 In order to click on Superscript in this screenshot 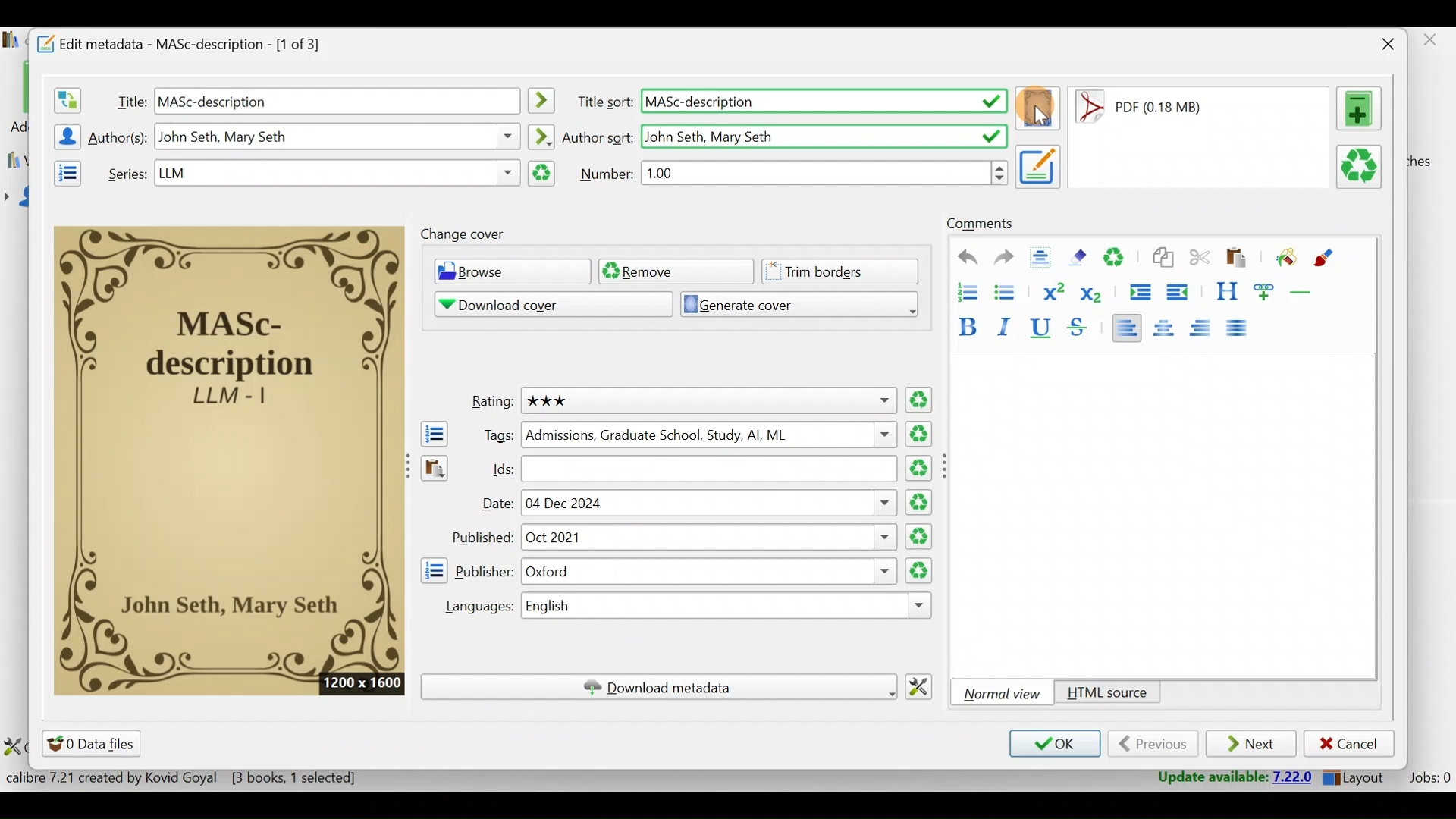, I will do `click(1052, 290)`.